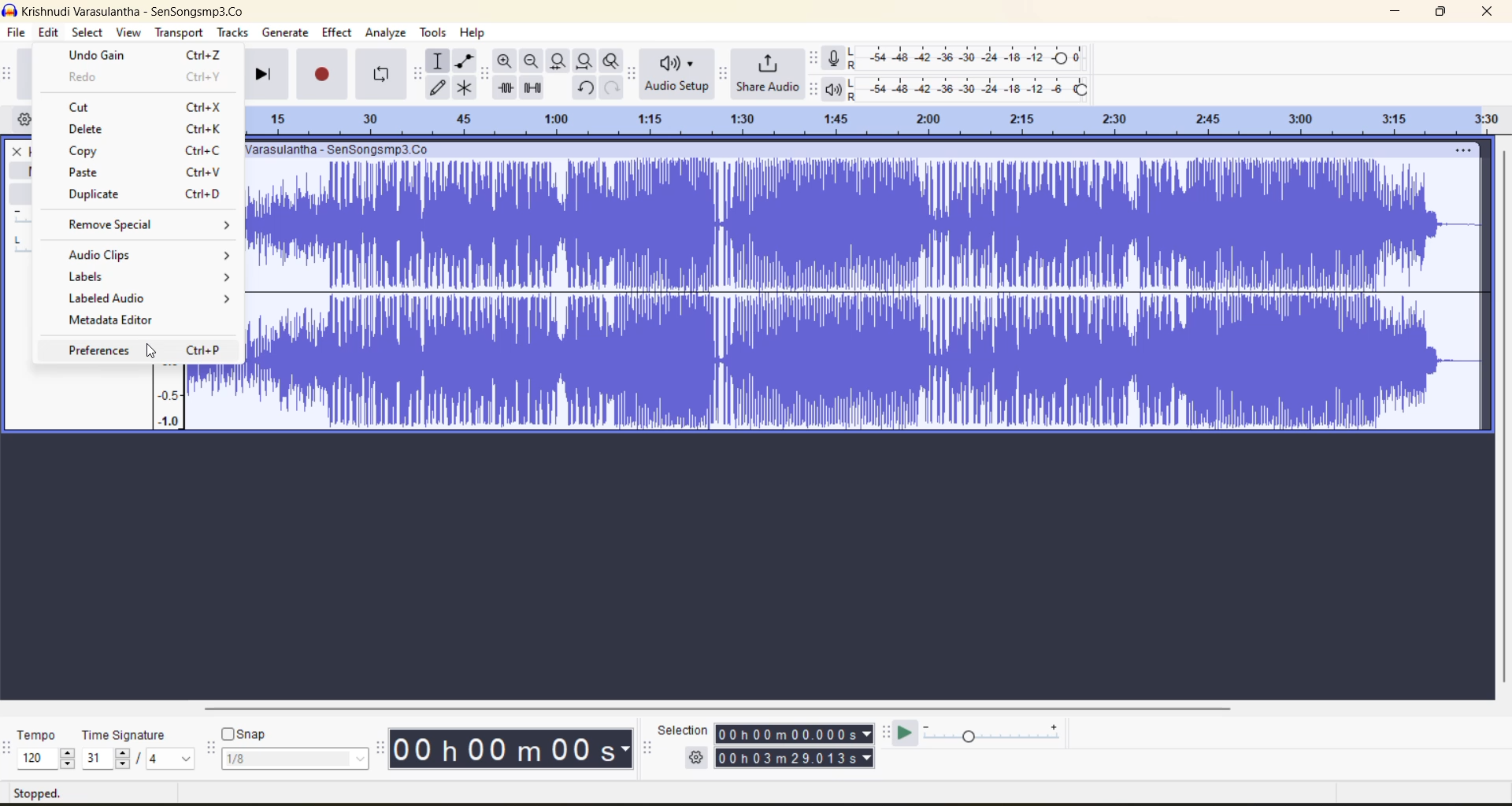 Image resolution: width=1512 pixels, height=806 pixels. Describe the element at coordinates (10, 750) in the screenshot. I see `tempo toolbar` at that location.